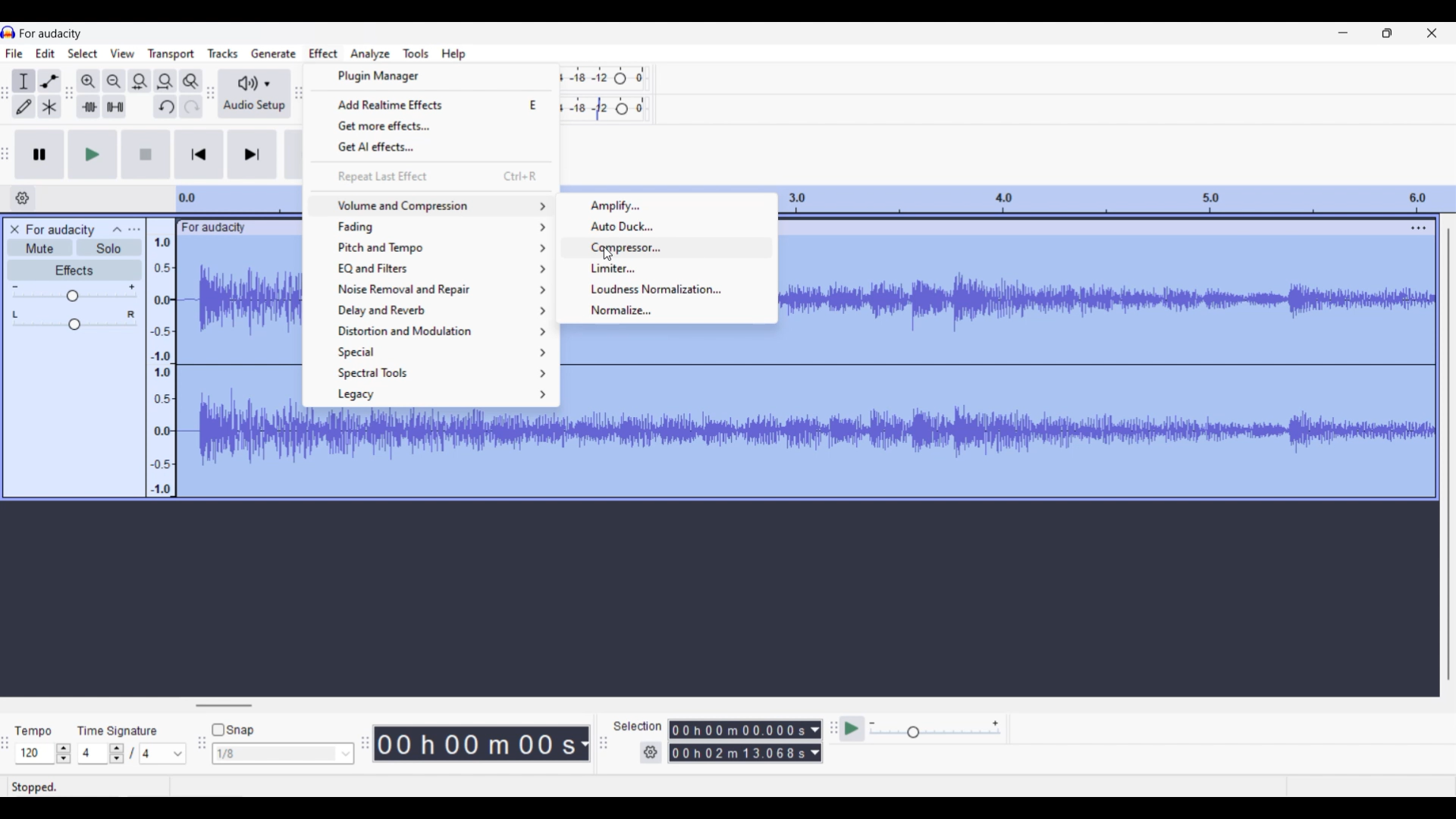  Describe the element at coordinates (432, 311) in the screenshot. I see `Delay and reverb` at that location.